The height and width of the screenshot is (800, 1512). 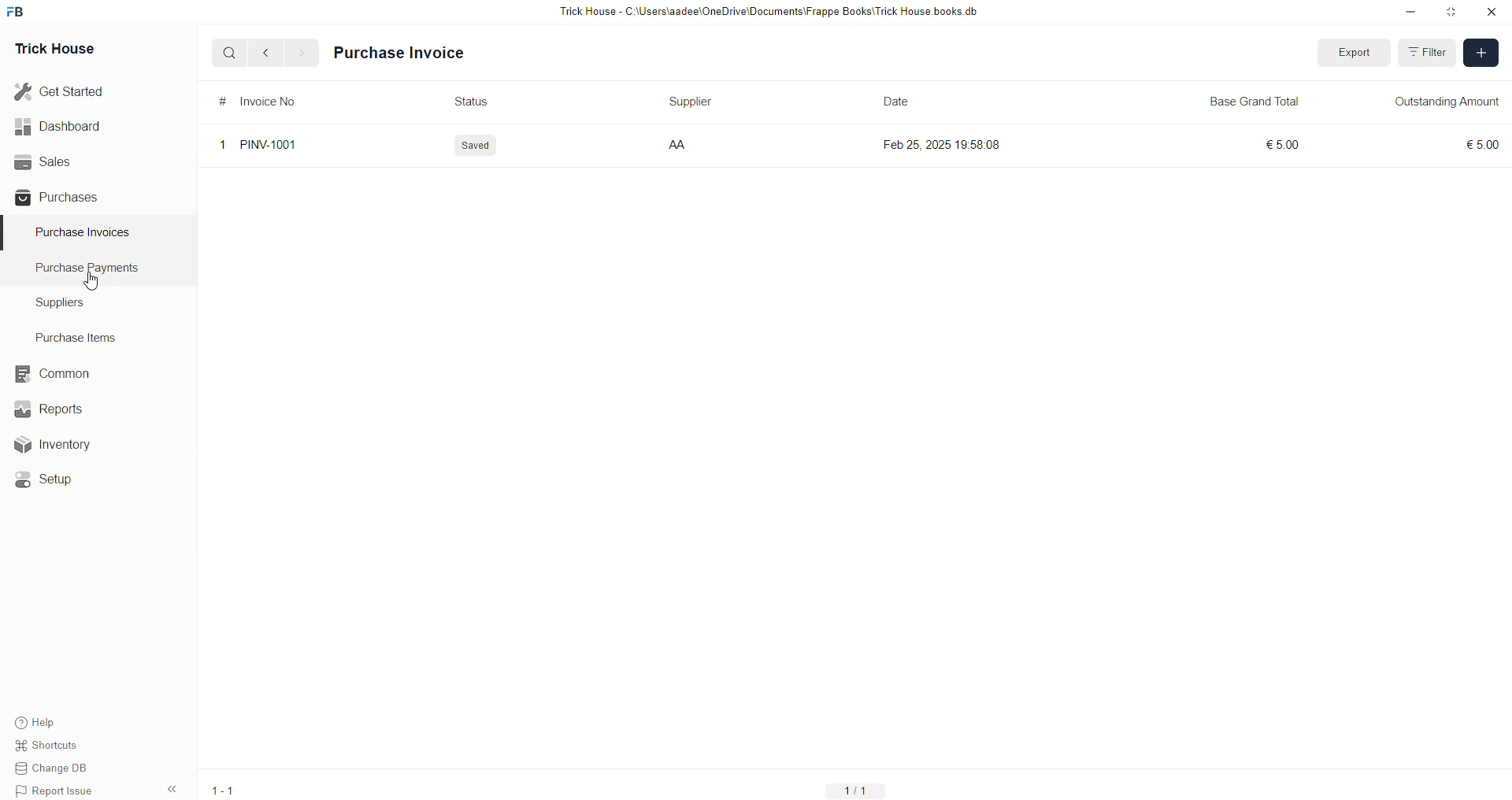 I want to click on Dashboard, so click(x=61, y=126).